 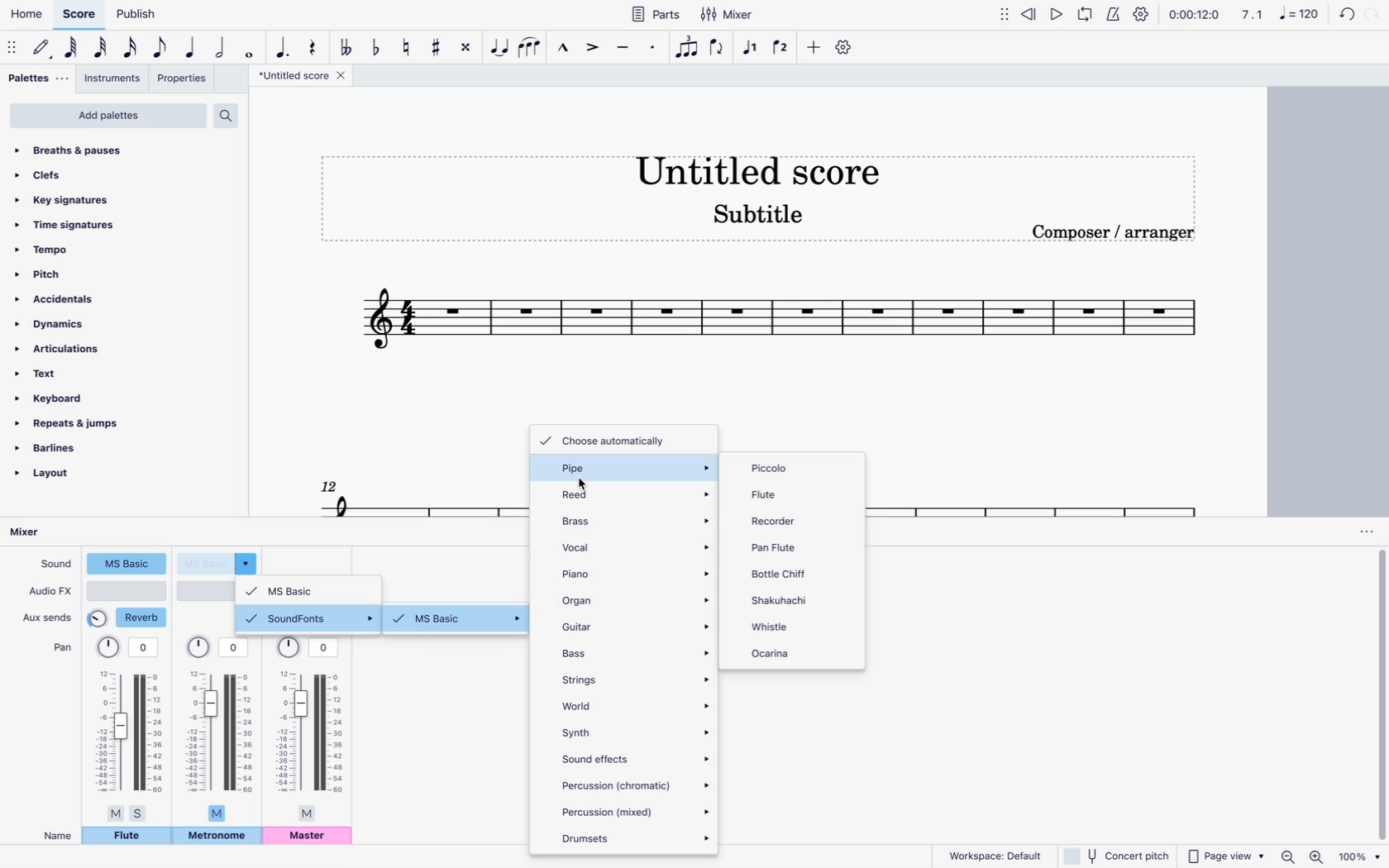 What do you see at coordinates (131, 48) in the screenshot?
I see `16th note` at bounding box center [131, 48].